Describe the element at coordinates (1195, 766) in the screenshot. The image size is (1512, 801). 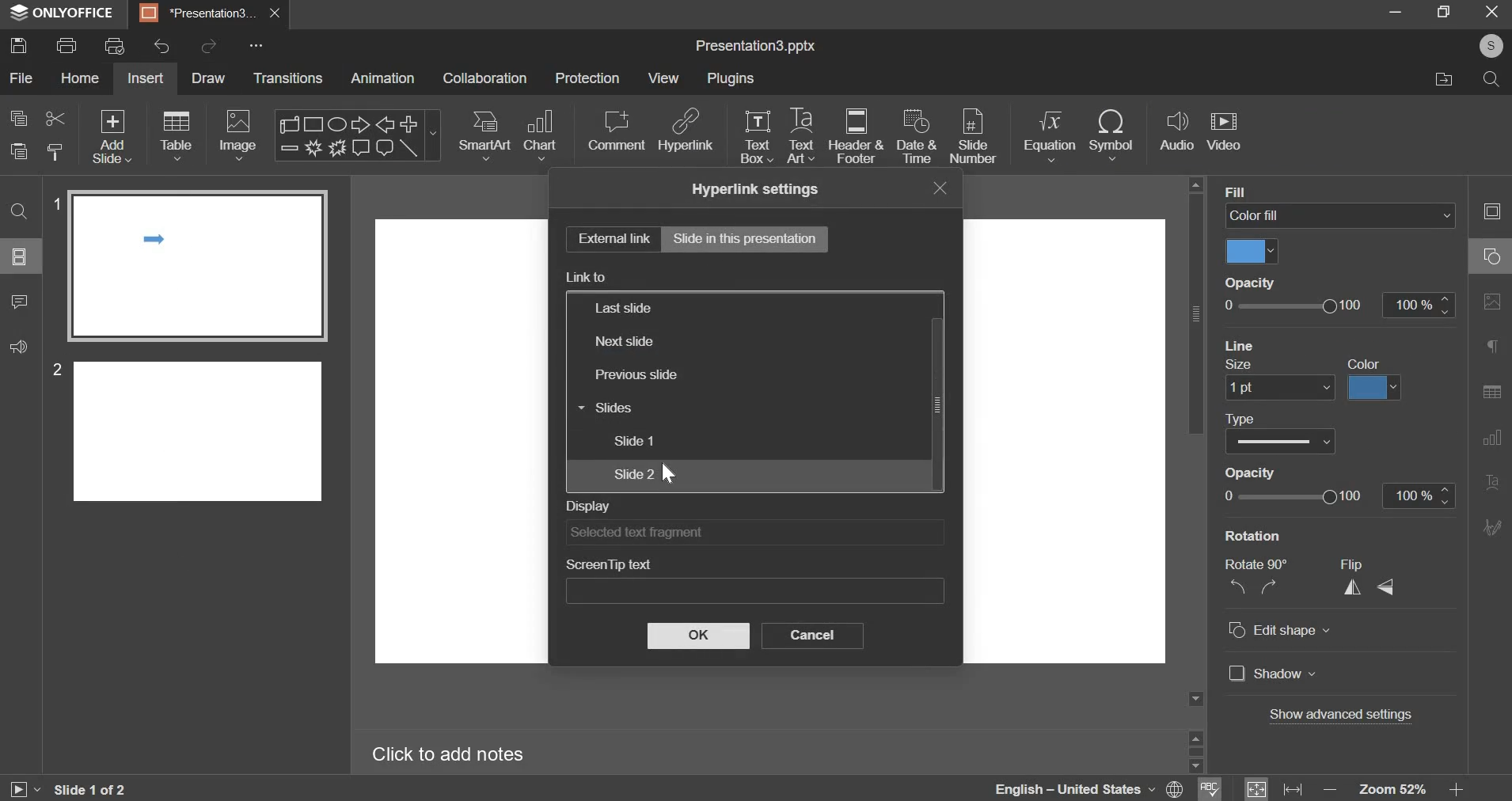
I see `scroll down` at that location.